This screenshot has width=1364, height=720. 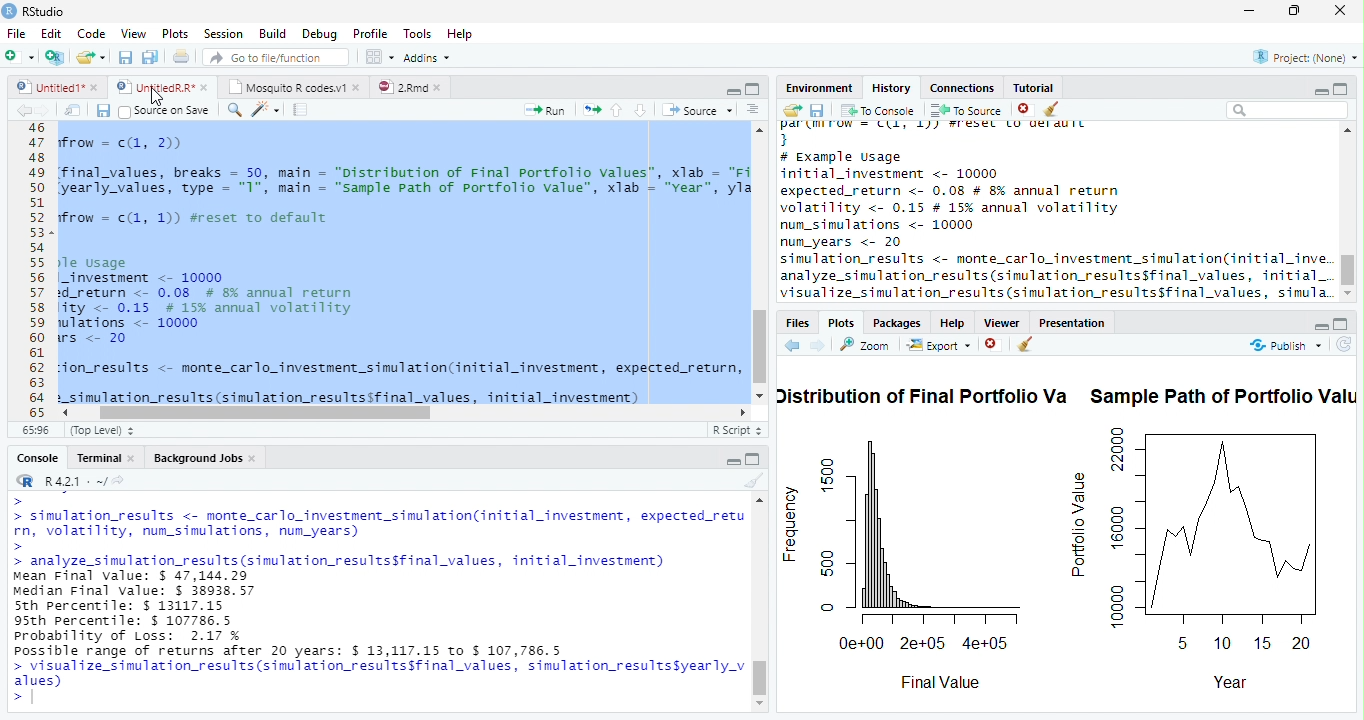 I want to click on Untited1*, so click(x=55, y=86).